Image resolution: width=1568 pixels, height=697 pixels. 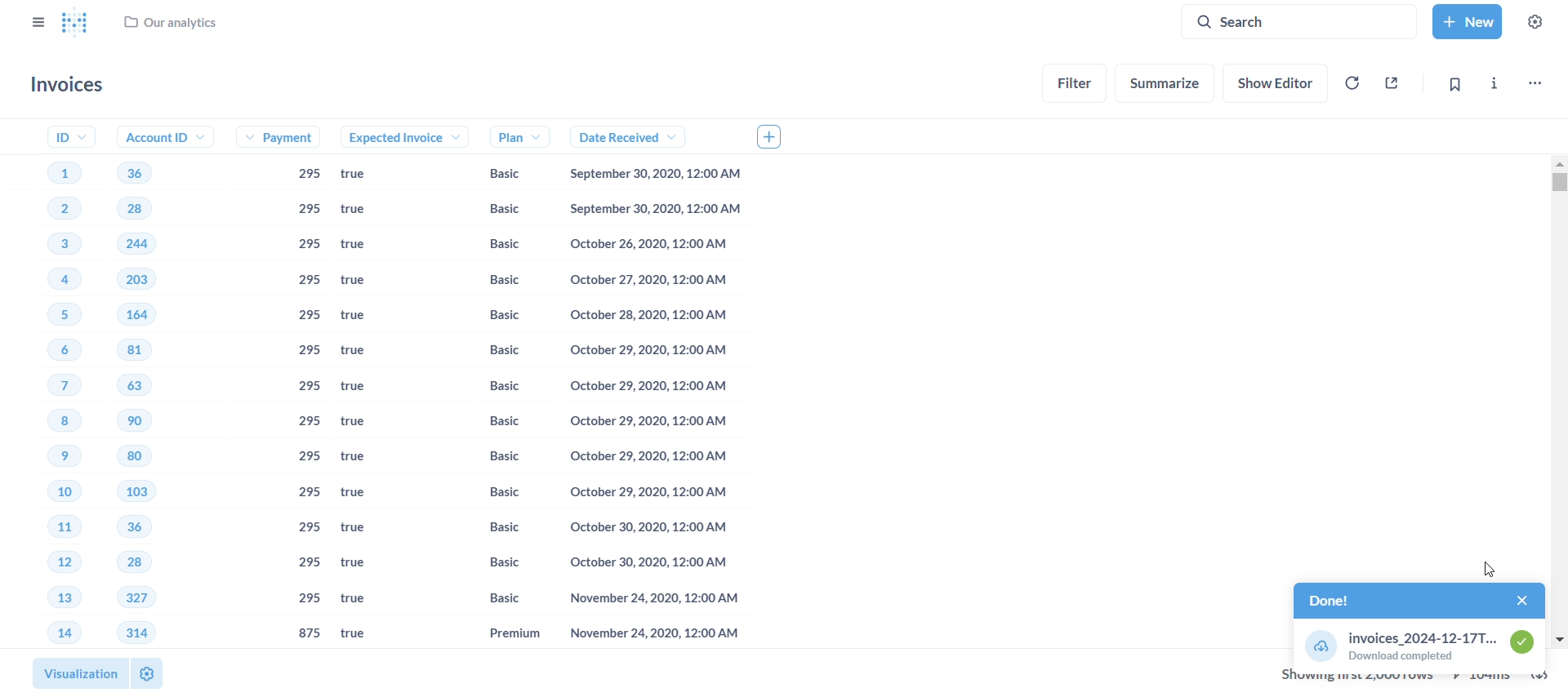 What do you see at coordinates (653, 280) in the screenshot?
I see `October 27,2020, 12:00 AM` at bounding box center [653, 280].